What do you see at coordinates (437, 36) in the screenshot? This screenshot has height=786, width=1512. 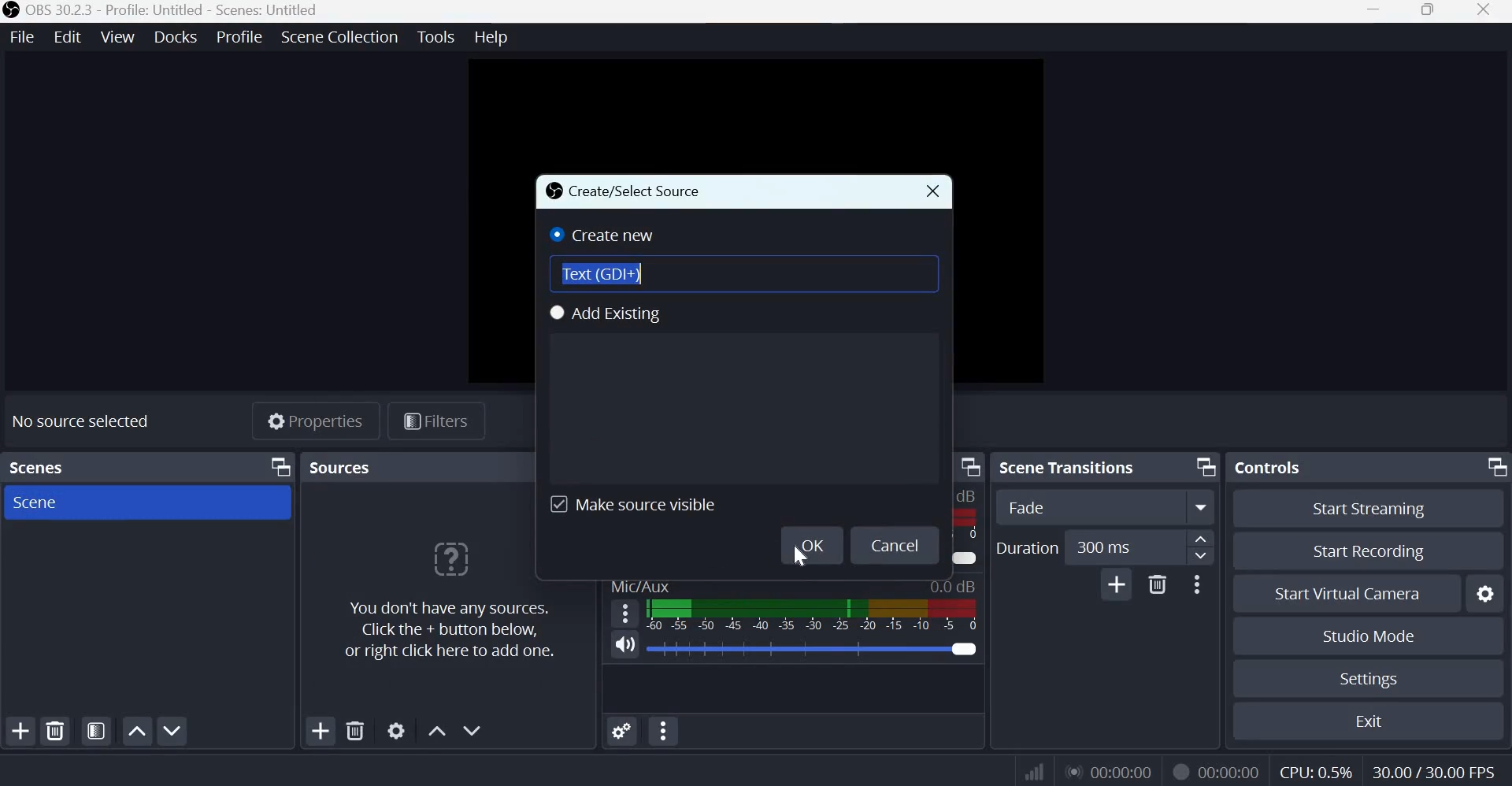 I see `Tools` at bounding box center [437, 36].